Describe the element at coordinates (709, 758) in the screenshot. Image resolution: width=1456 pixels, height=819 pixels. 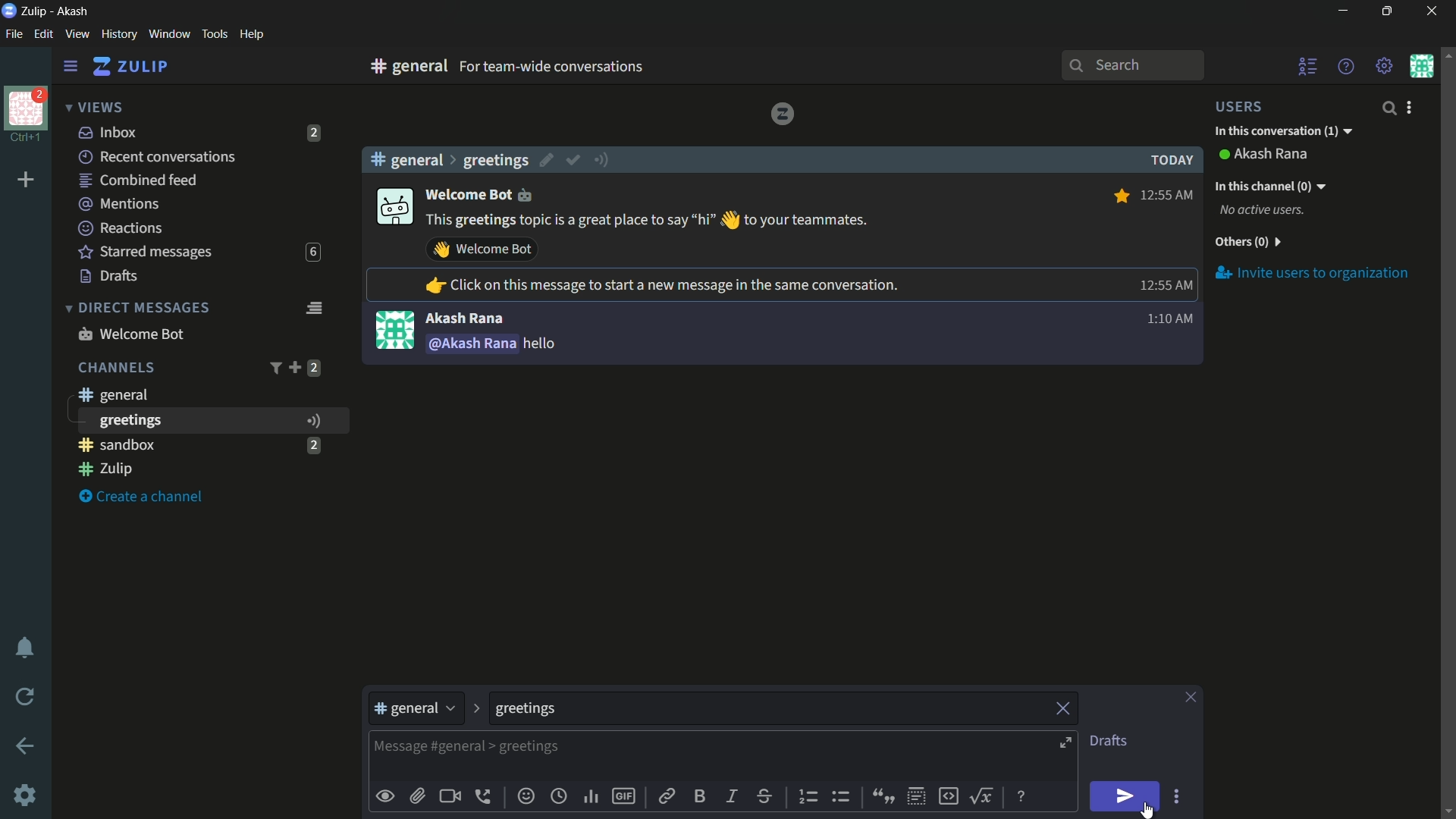
I see `message body` at that location.